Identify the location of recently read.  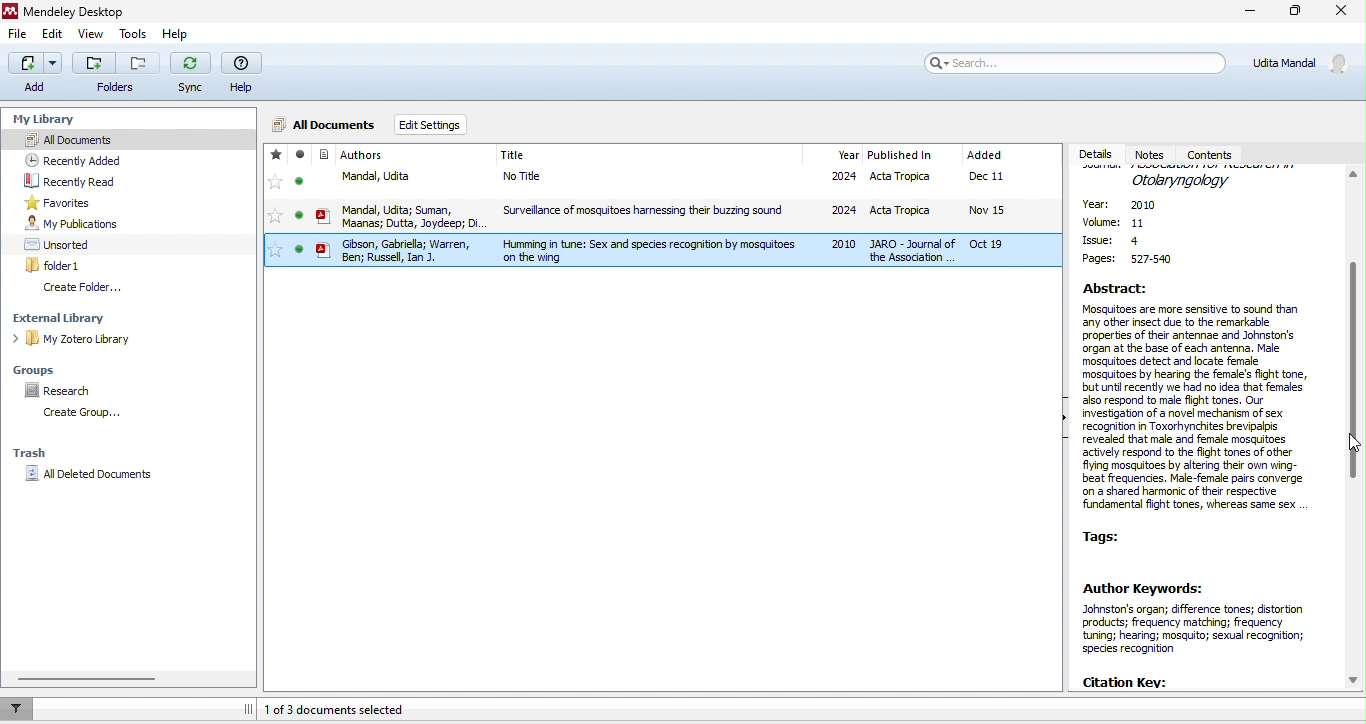
(73, 181).